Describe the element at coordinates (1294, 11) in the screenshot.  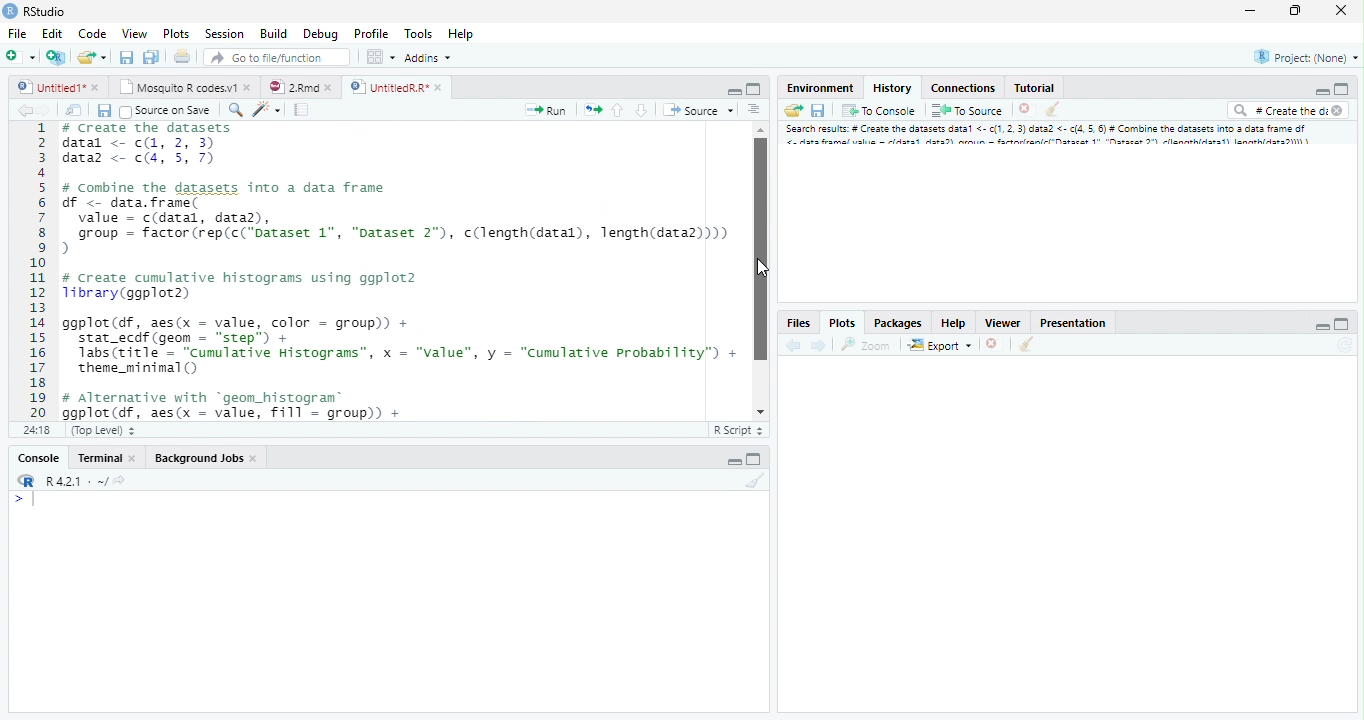
I see `Maximize` at that location.